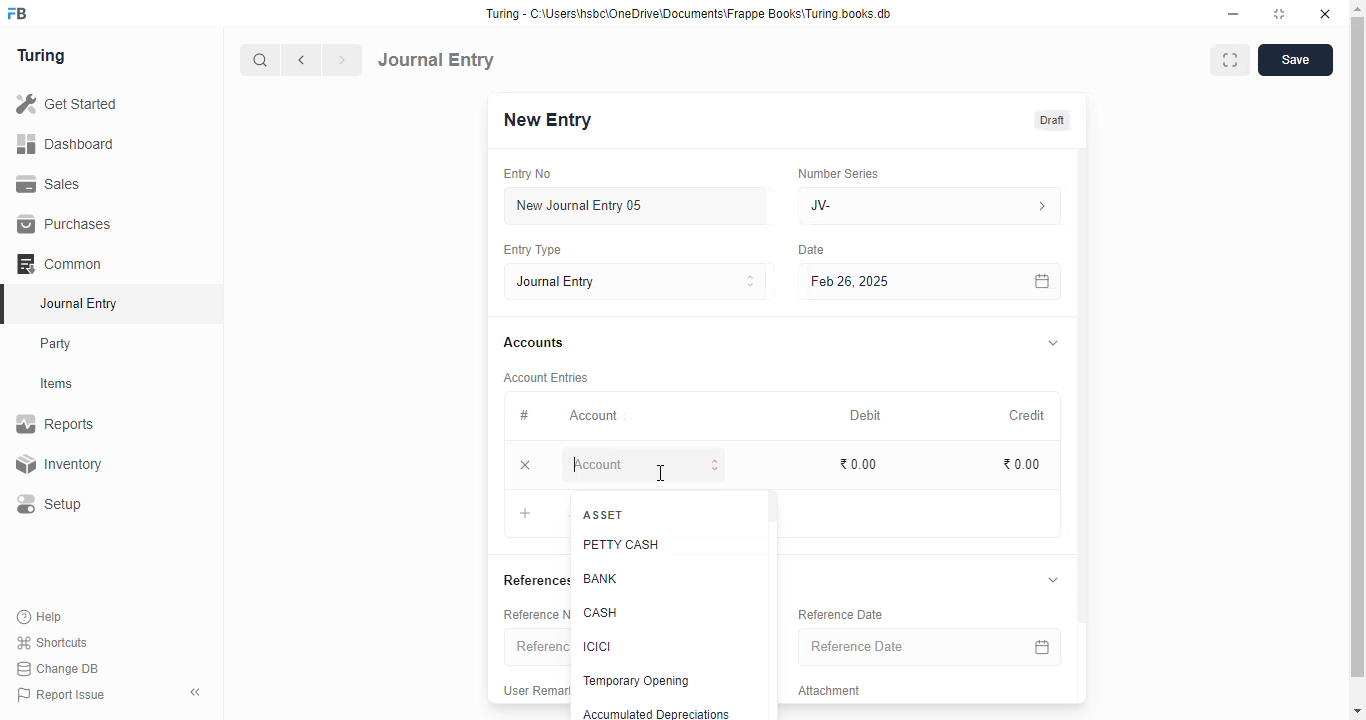  What do you see at coordinates (636, 205) in the screenshot?
I see `new journal entry 05` at bounding box center [636, 205].